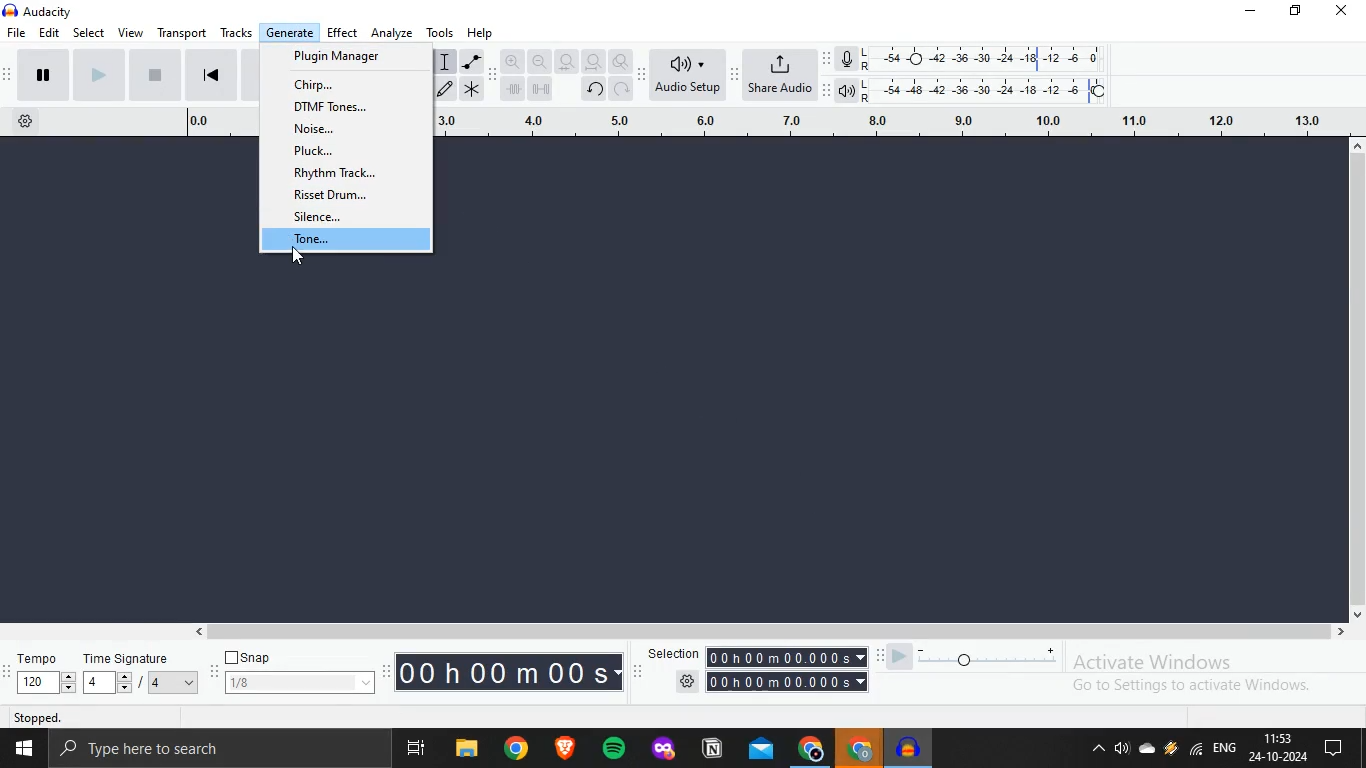 The width and height of the screenshot is (1366, 768). I want to click on risset drum, so click(336, 198).